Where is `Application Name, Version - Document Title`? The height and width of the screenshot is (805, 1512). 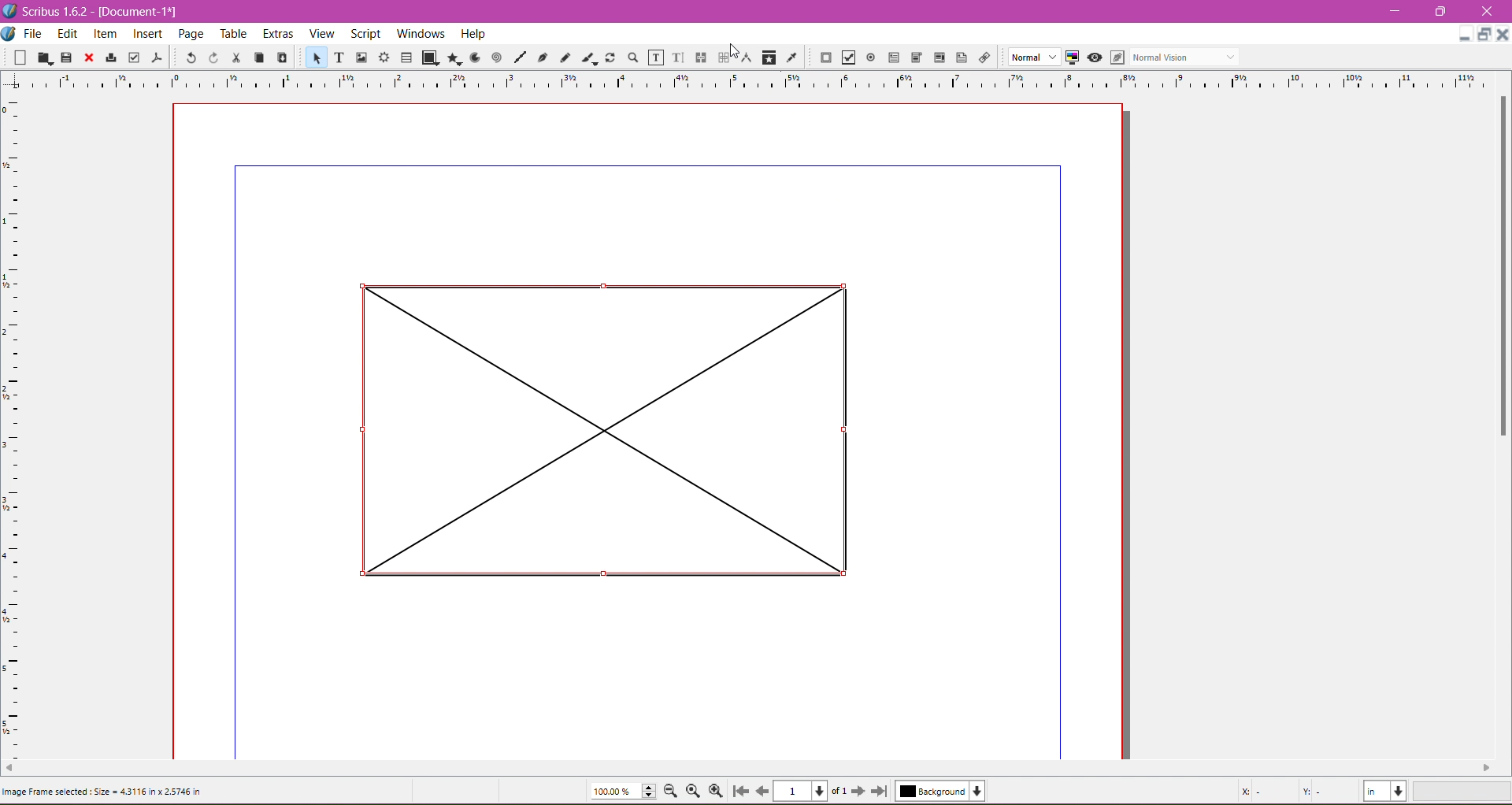 Application Name, Version - Document Title is located at coordinates (96, 12).